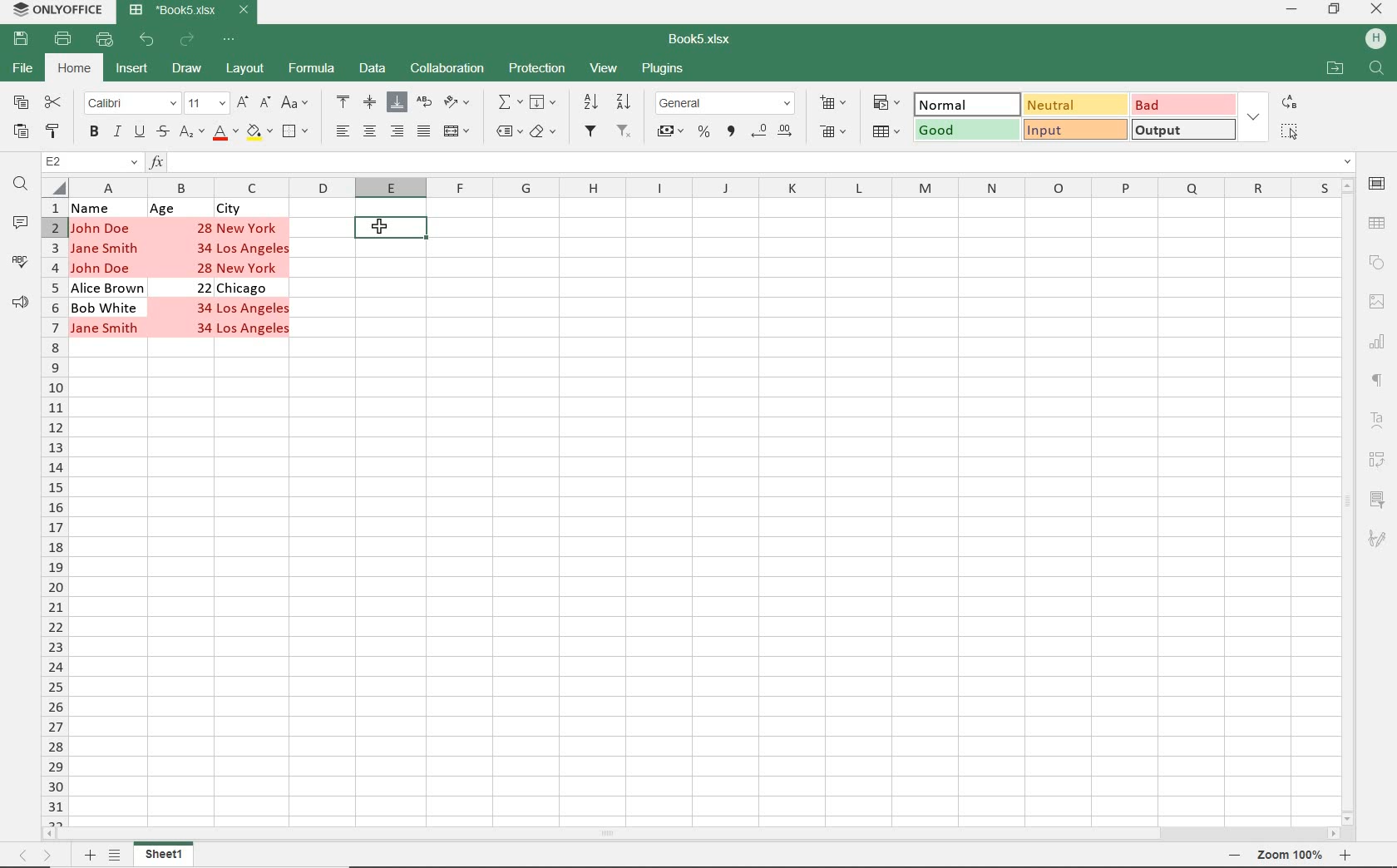 This screenshot has width=1397, height=868. Describe the element at coordinates (22, 298) in the screenshot. I see `FEEDBACK & SUPPORT` at that location.